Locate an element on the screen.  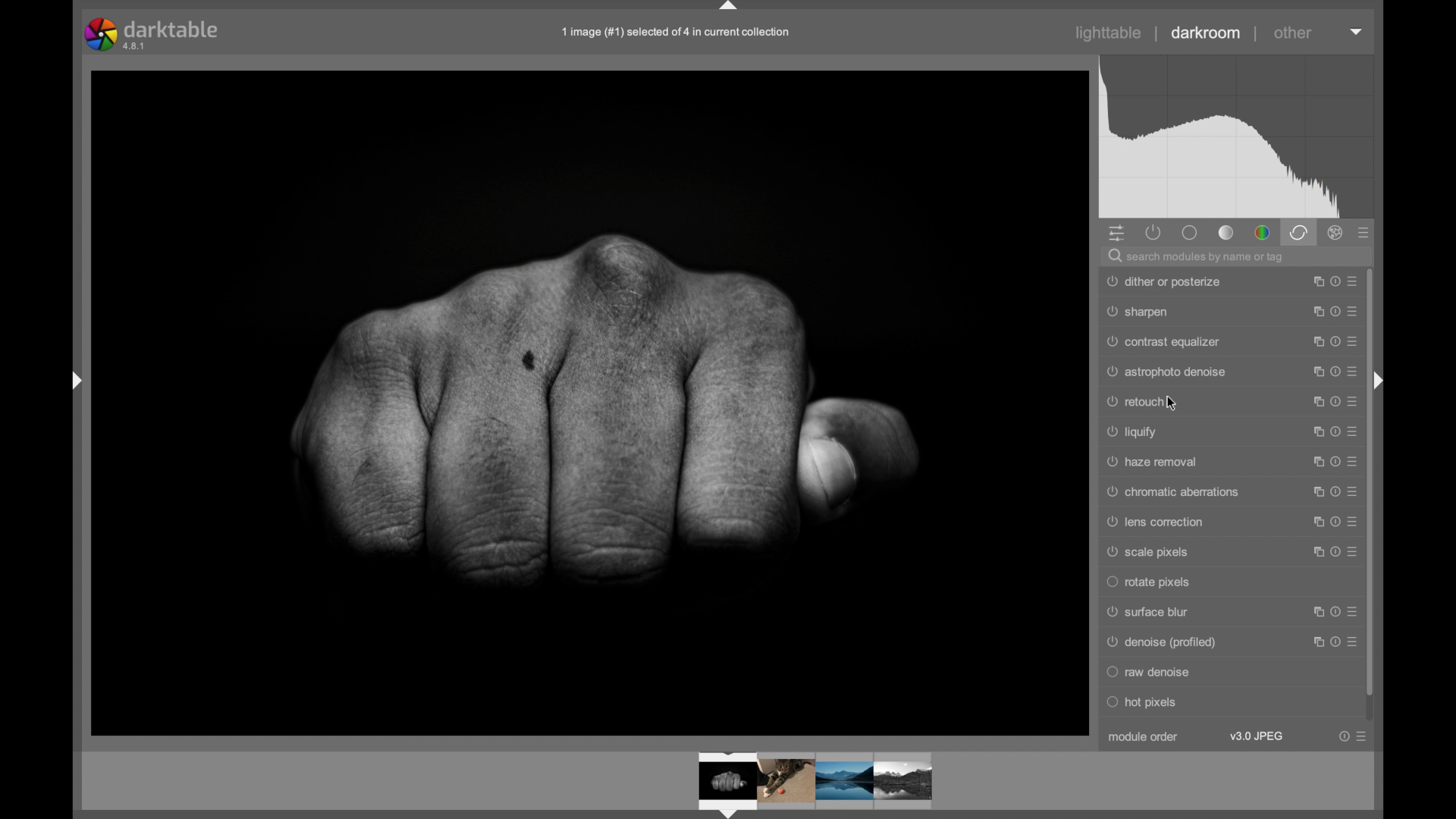
haze removal is located at coordinates (1153, 461).